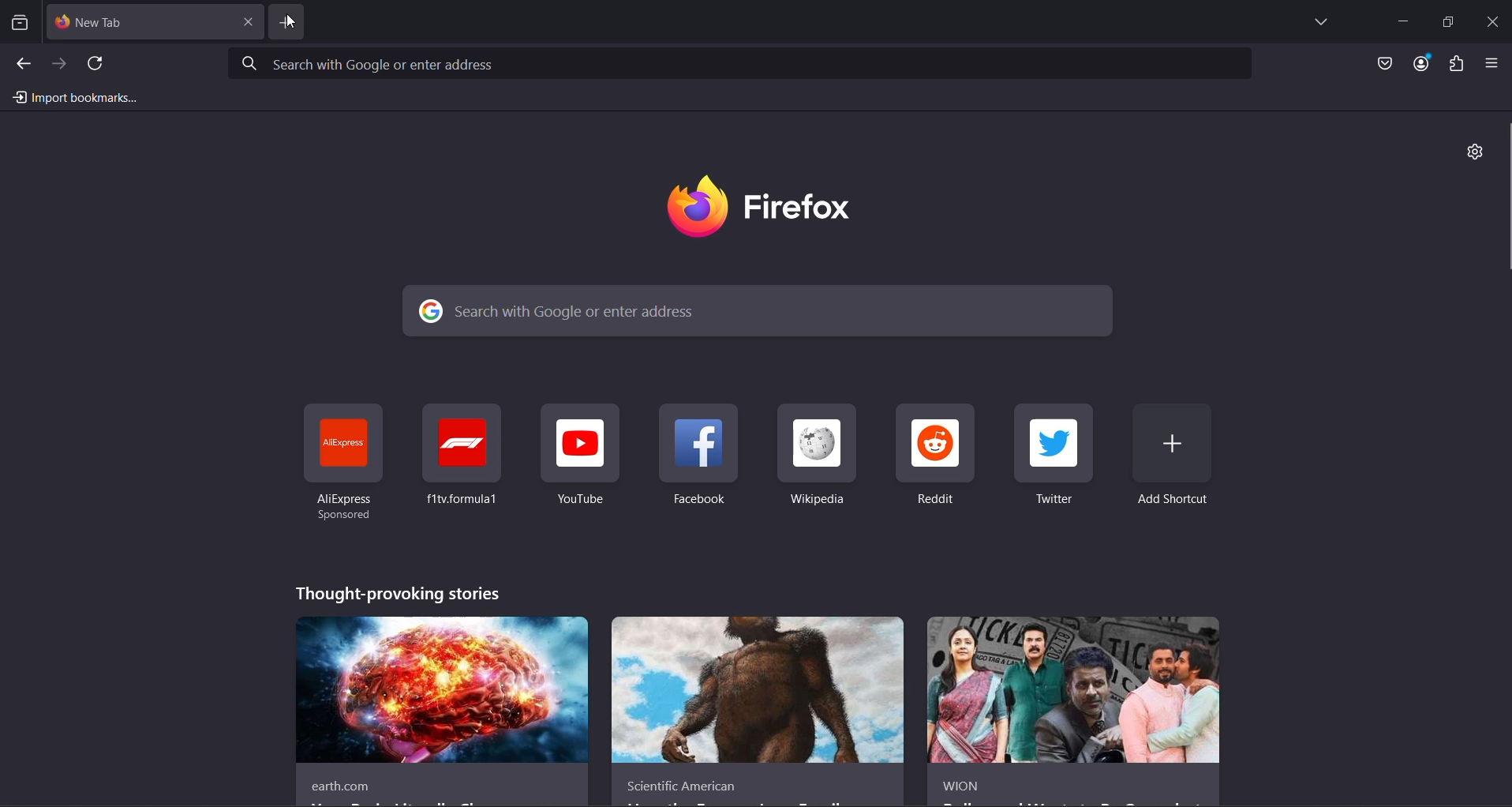 This screenshot has width=1512, height=807. What do you see at coordinates (1458, 64) in the screenshot?
I see `extensions` at bounding box center [1458, 64].